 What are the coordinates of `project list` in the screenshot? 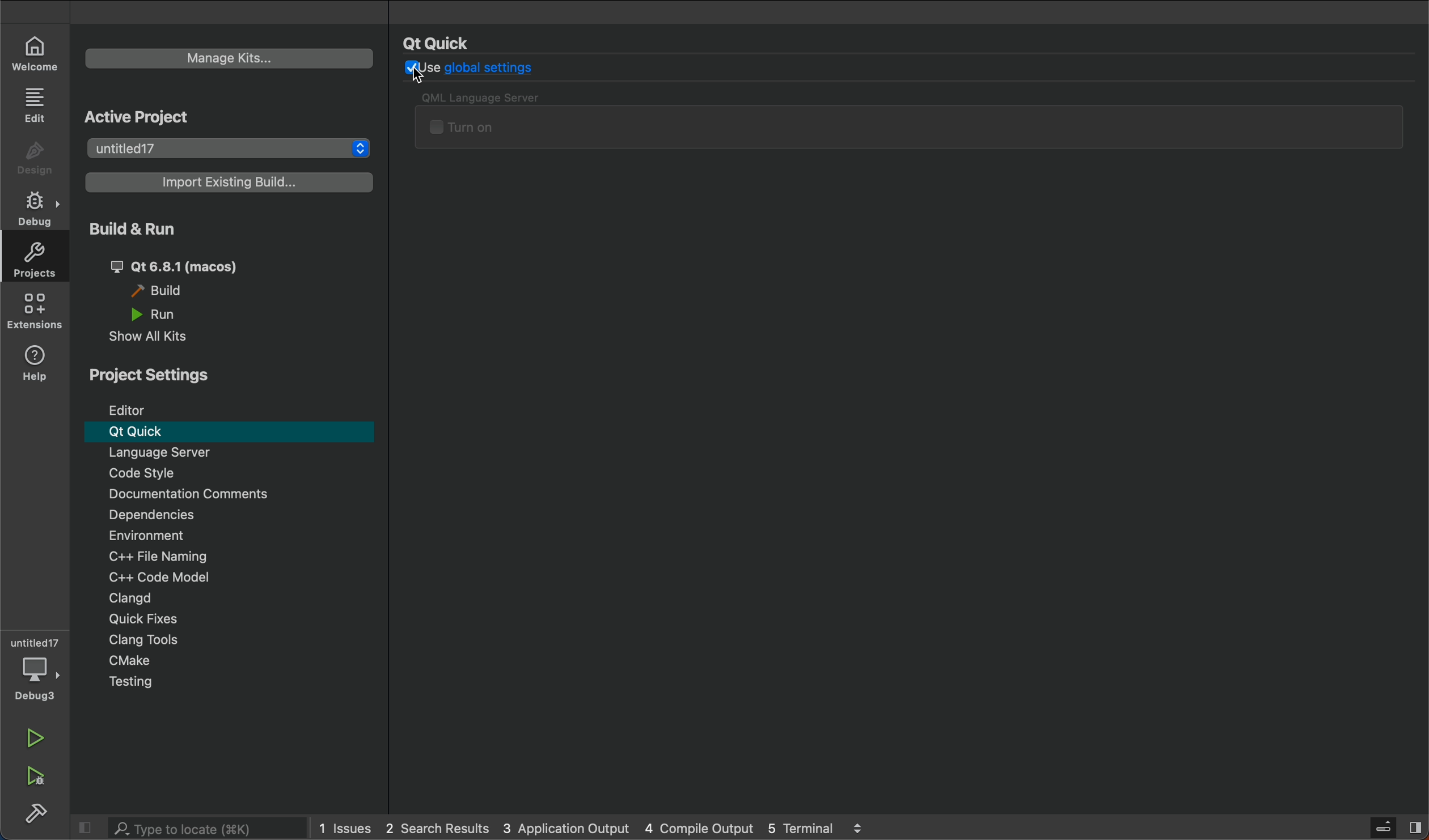 It's located at (230, 146).